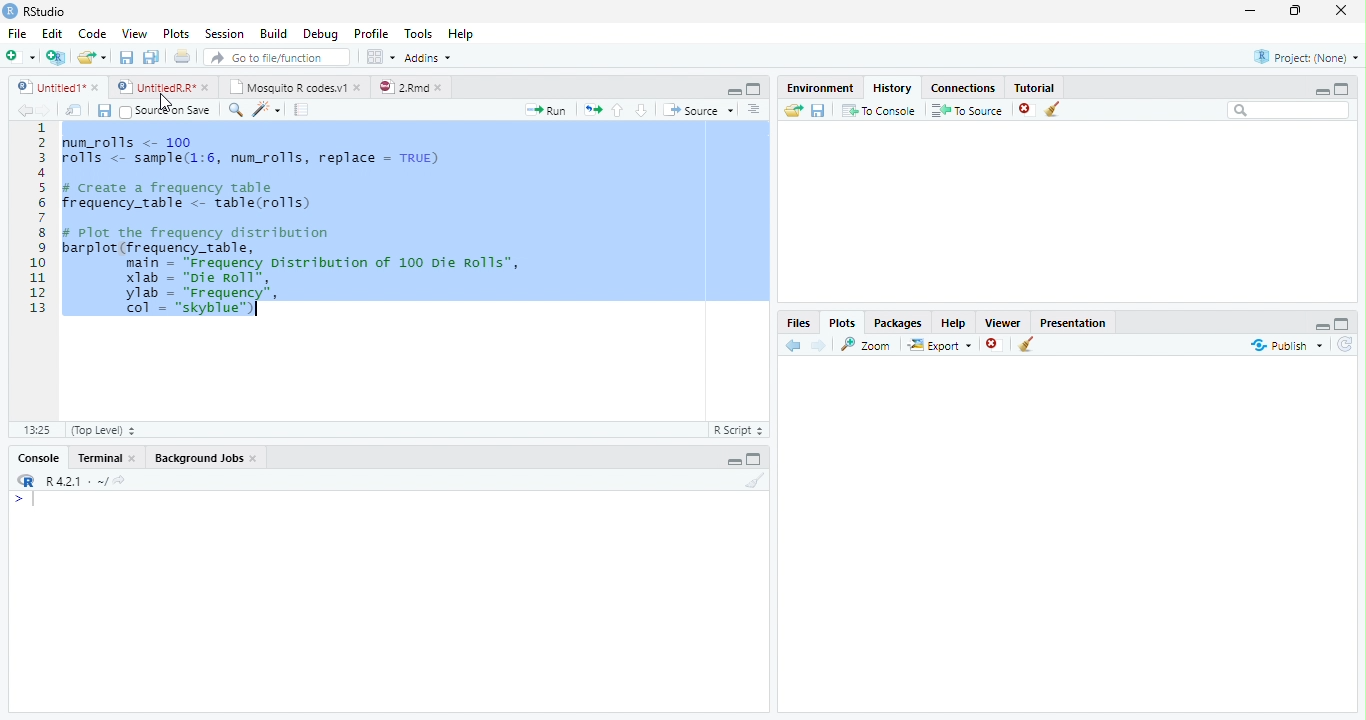 The width and height of the screenshot is (1366, 720). Describe the element at coordinates (1073, 322) in the screenshot. I see `Presentation` at that location.